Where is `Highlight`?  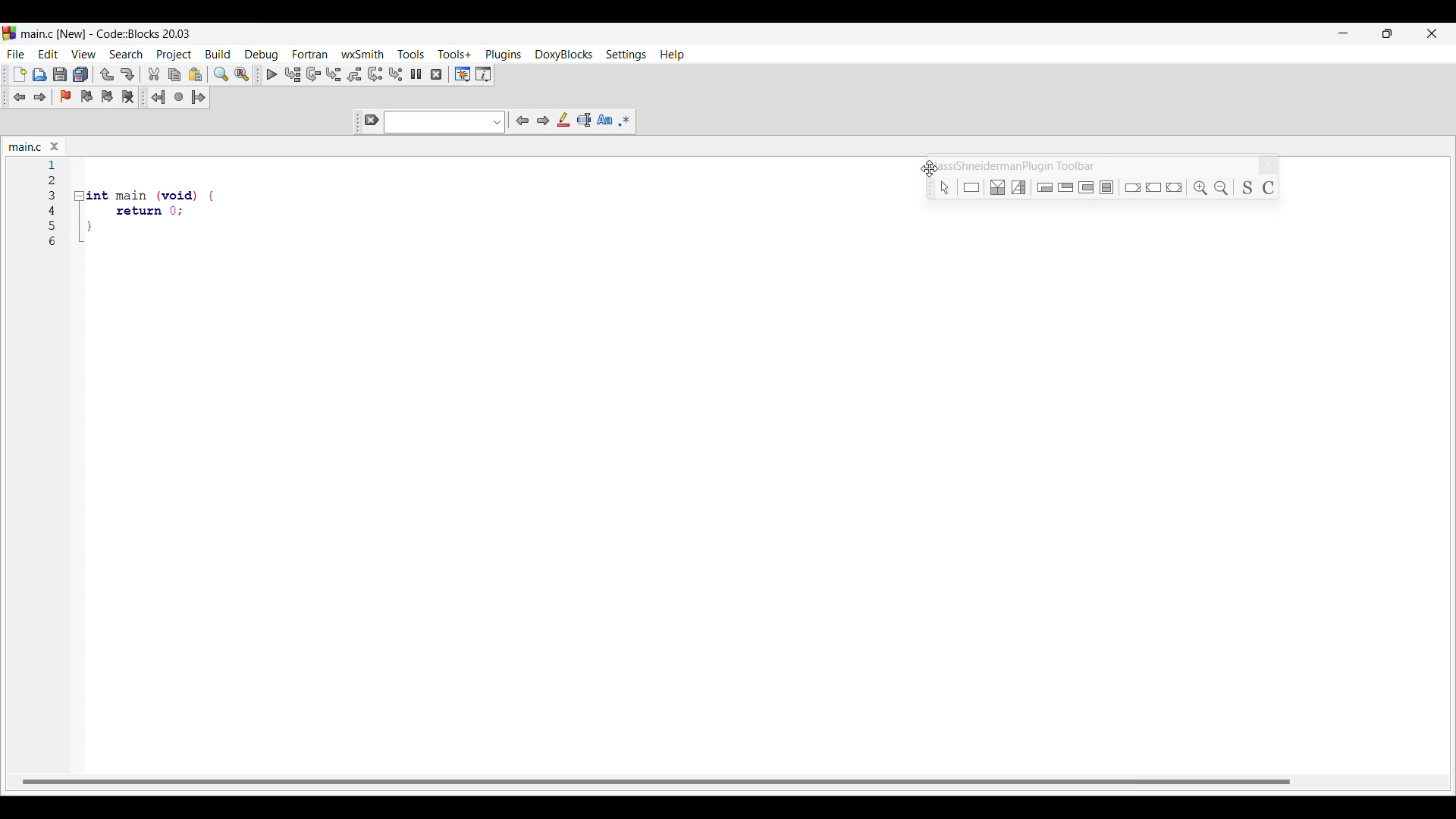
Highlight is located at coordinates (563, 120).